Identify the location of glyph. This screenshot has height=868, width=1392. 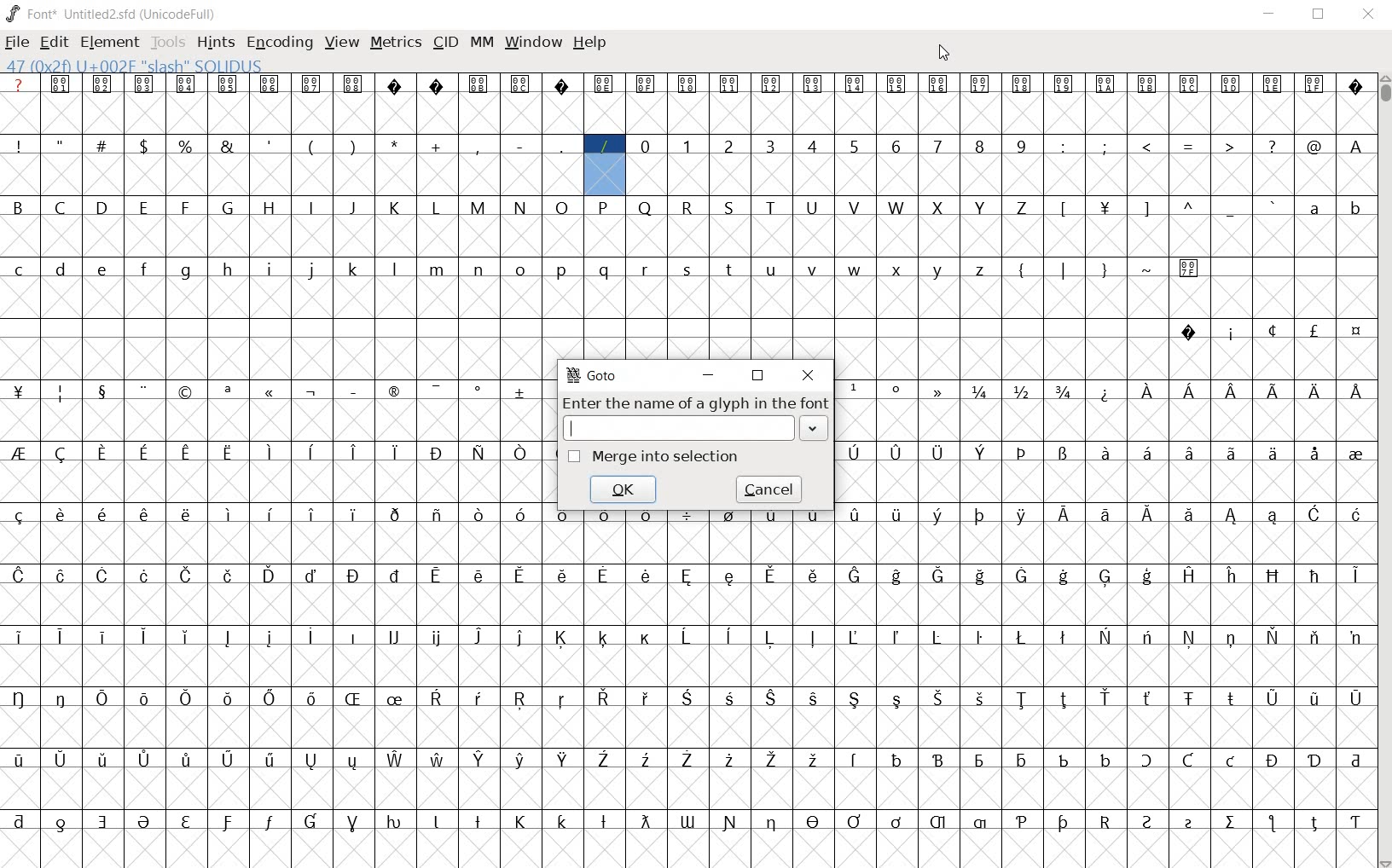
(519, 822).